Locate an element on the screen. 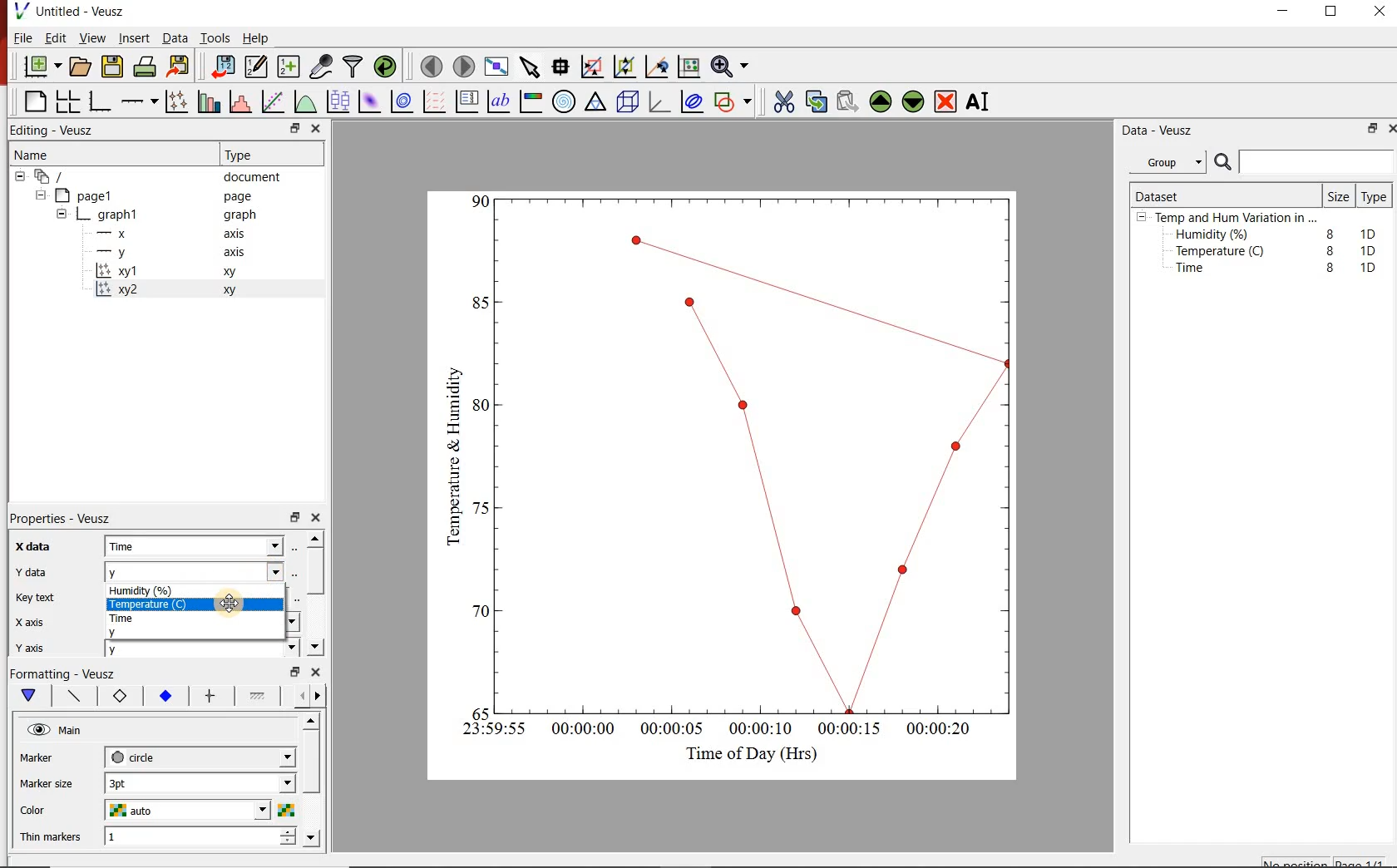 This screenshot has height=868, width=1397. Time is located at coordinates (1199, 272).